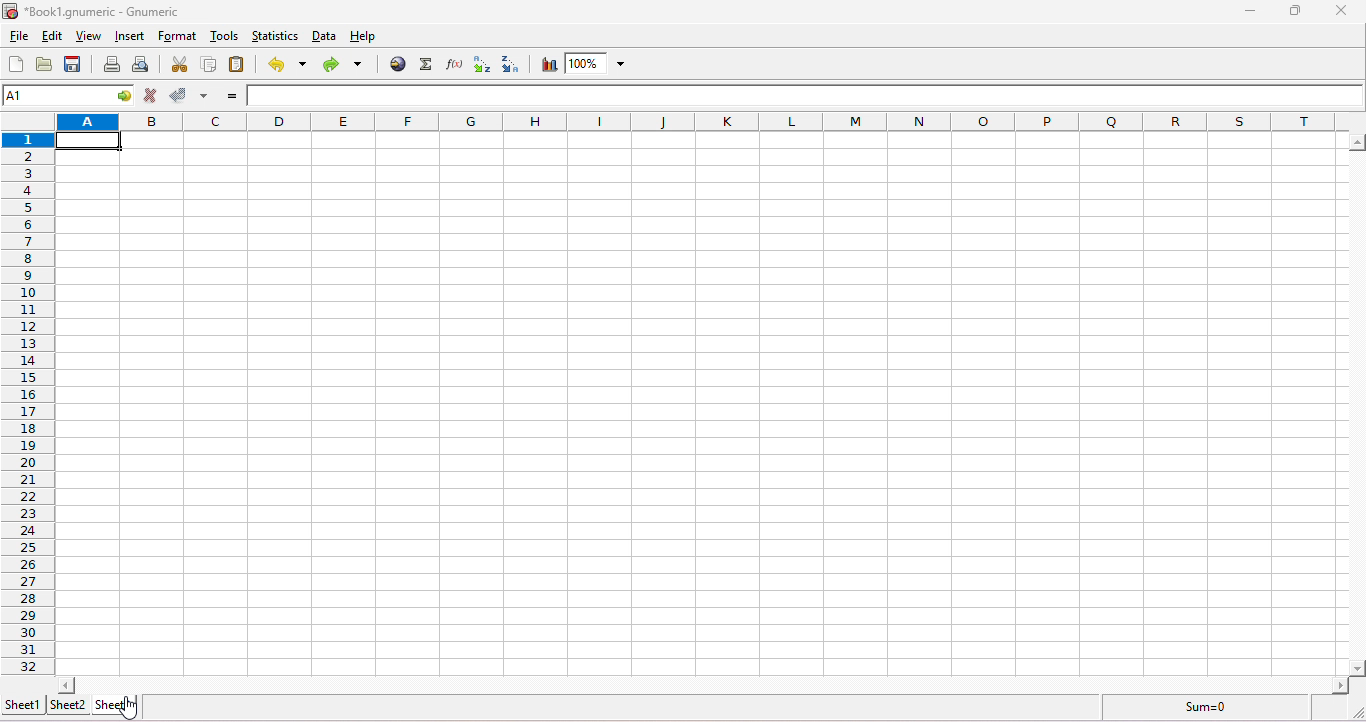  I want to click on sort descending order, so click(513, 63).